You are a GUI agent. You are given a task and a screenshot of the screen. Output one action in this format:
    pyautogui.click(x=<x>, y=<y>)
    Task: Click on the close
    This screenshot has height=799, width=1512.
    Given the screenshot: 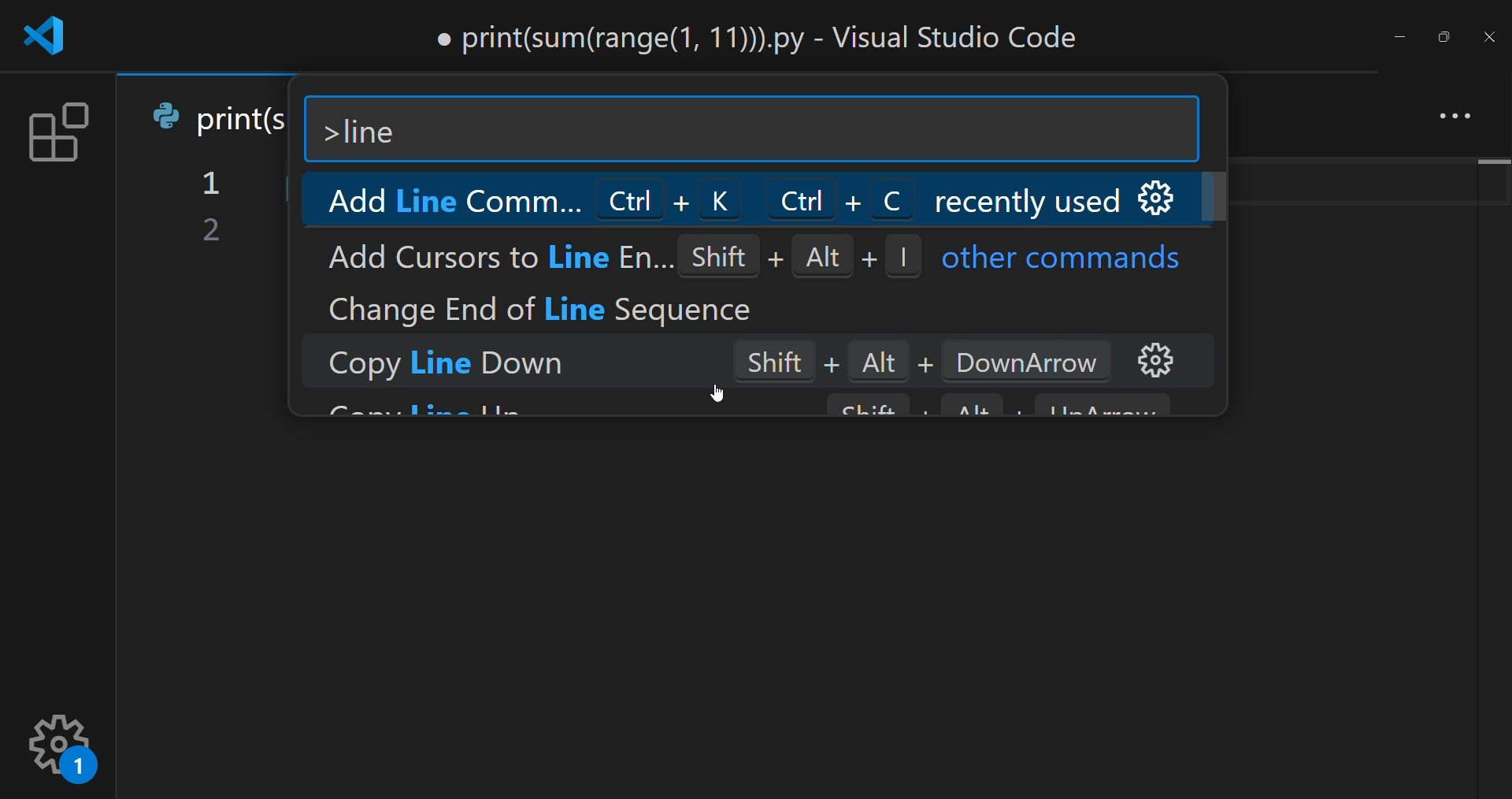 What is the action you would take?
    pyautogui.click(x=1488, y=38)
    